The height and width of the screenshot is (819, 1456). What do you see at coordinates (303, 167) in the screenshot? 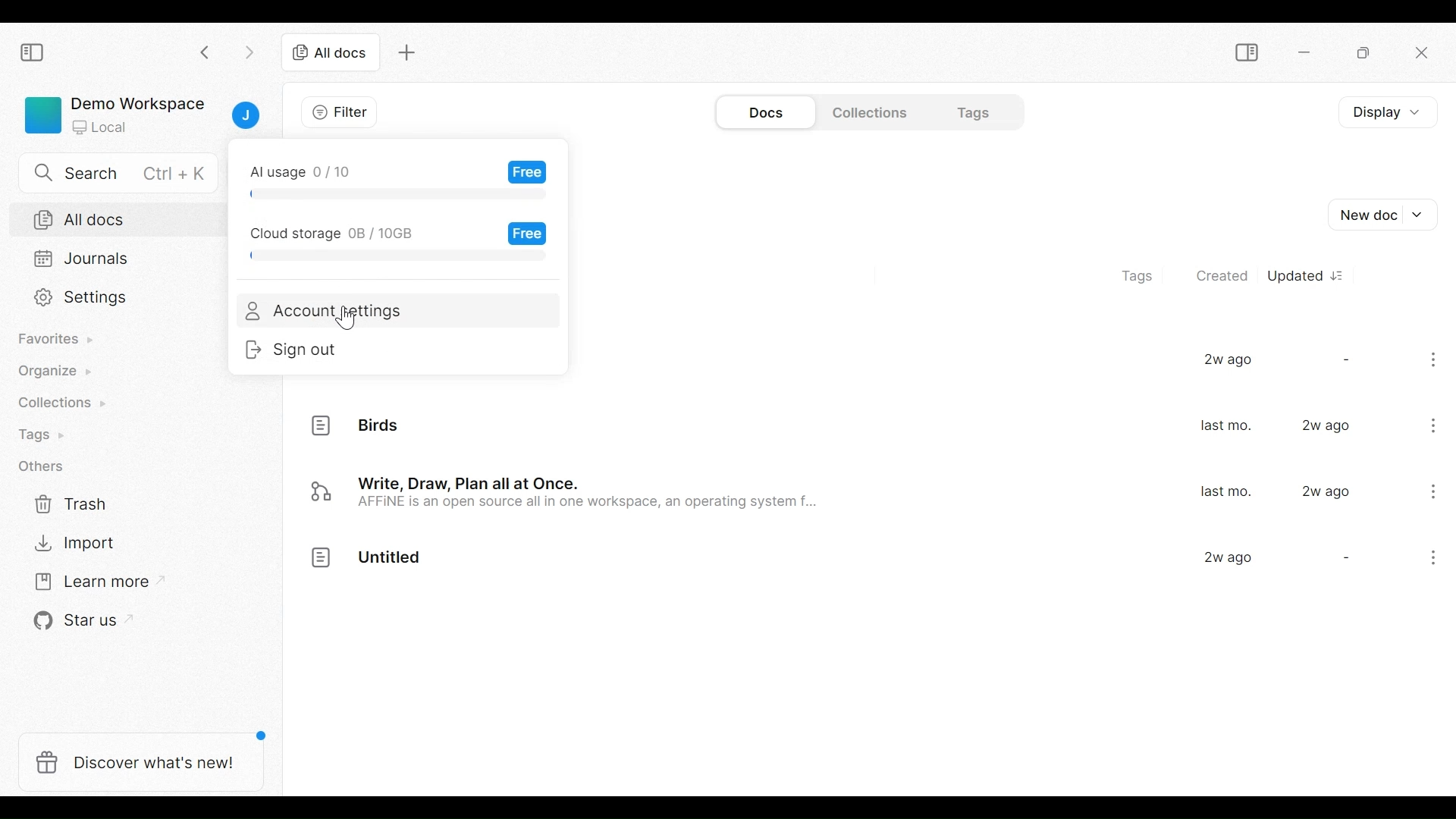
I see `AI usage 0/10` at bounding box center [303, 167].